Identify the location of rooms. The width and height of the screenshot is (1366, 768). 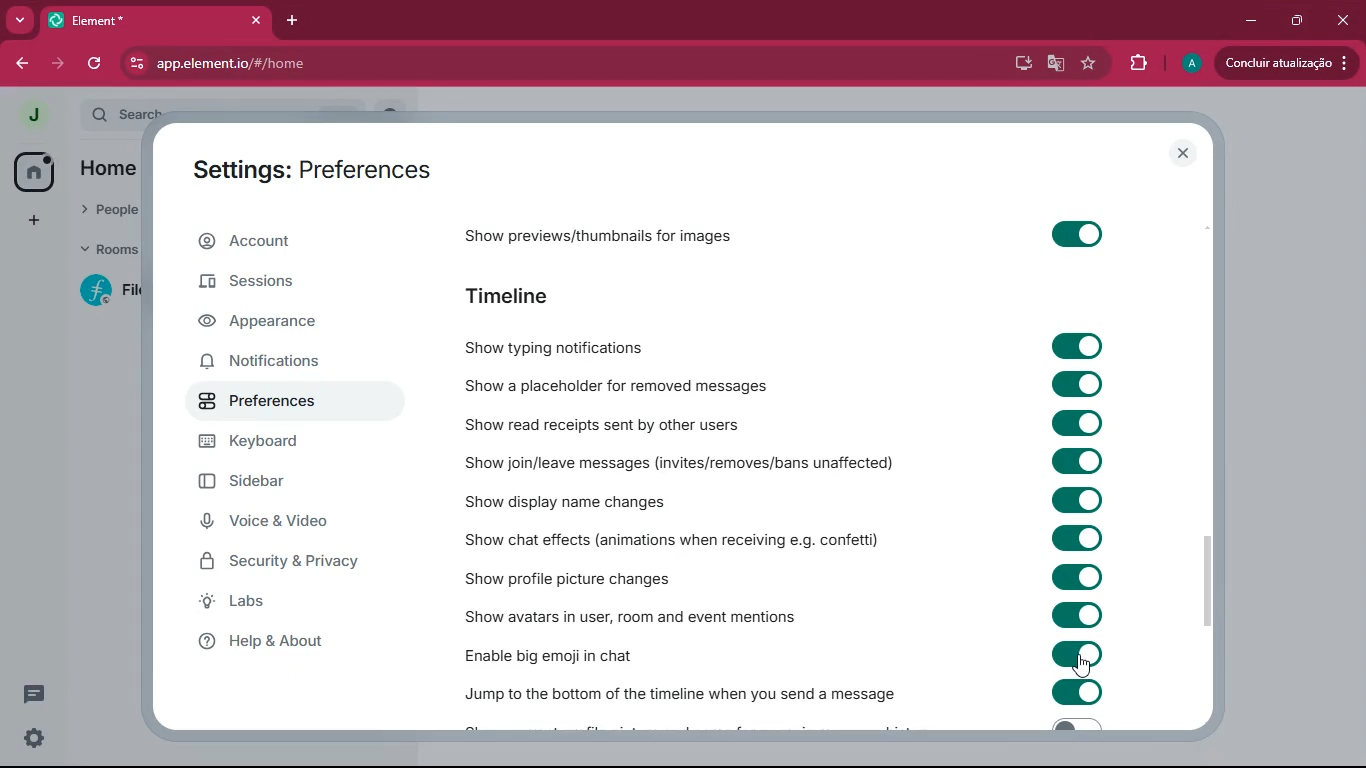
(108, 249).